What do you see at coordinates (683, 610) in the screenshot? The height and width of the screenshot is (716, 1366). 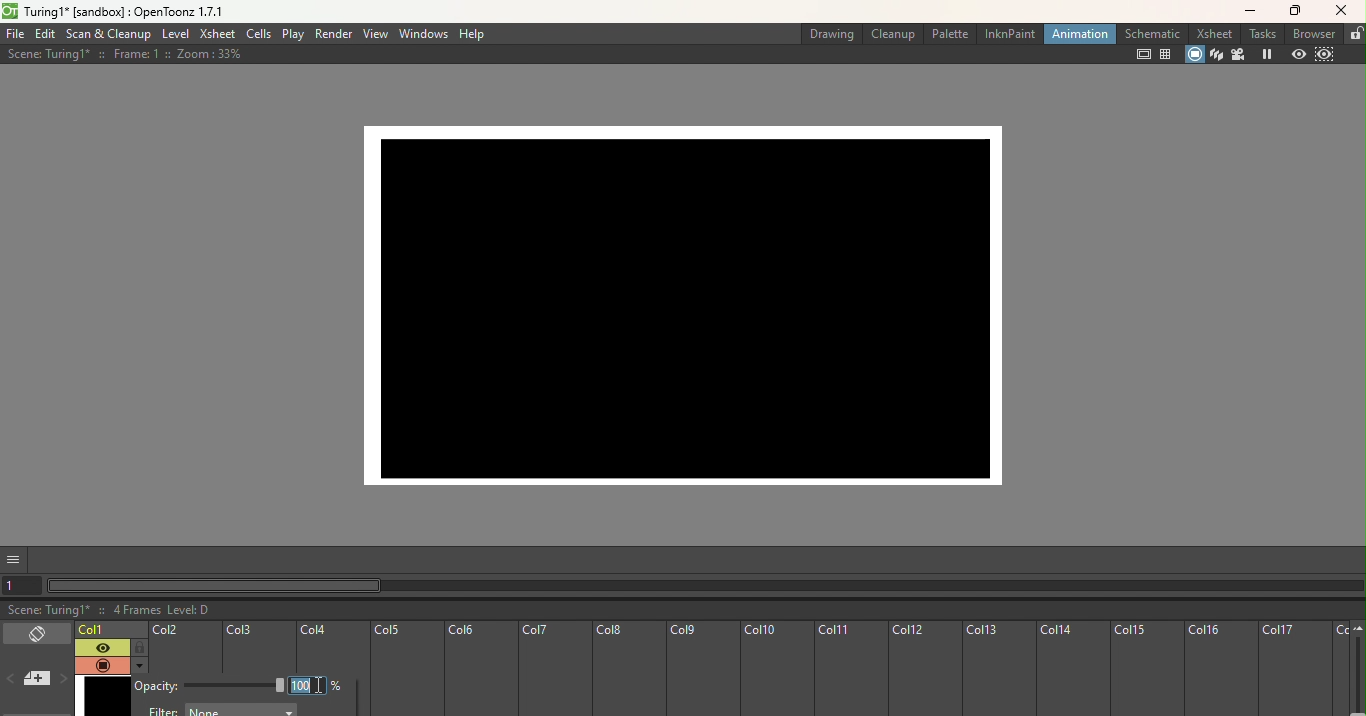 I see `Scene: Turing1* :: 4 Frames Level: D` at bounding box center [683, 610].